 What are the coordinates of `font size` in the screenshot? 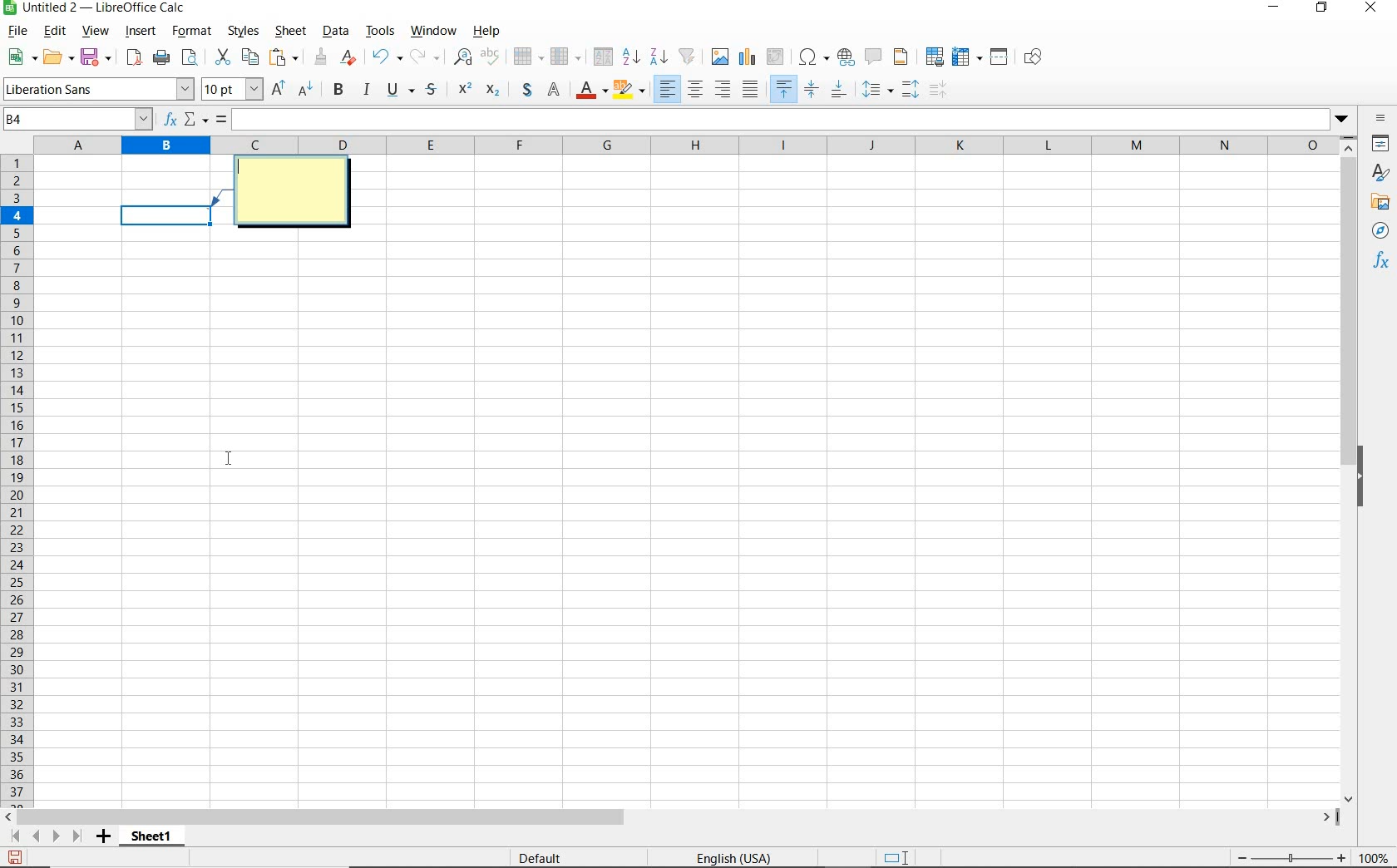 It's located at (233, 89).